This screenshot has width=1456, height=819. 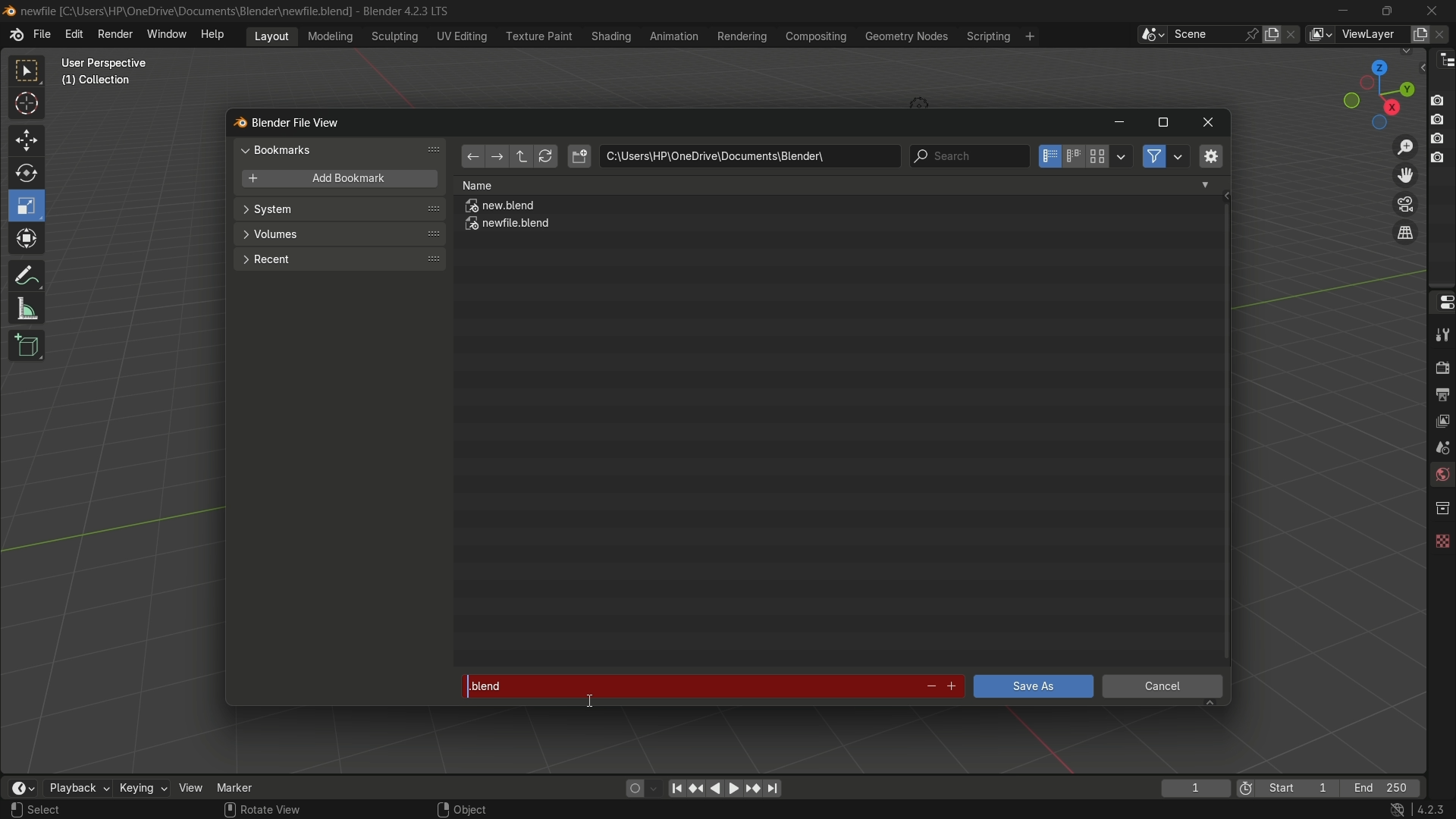 I want to click on properties, so click(x=1441, y=301).